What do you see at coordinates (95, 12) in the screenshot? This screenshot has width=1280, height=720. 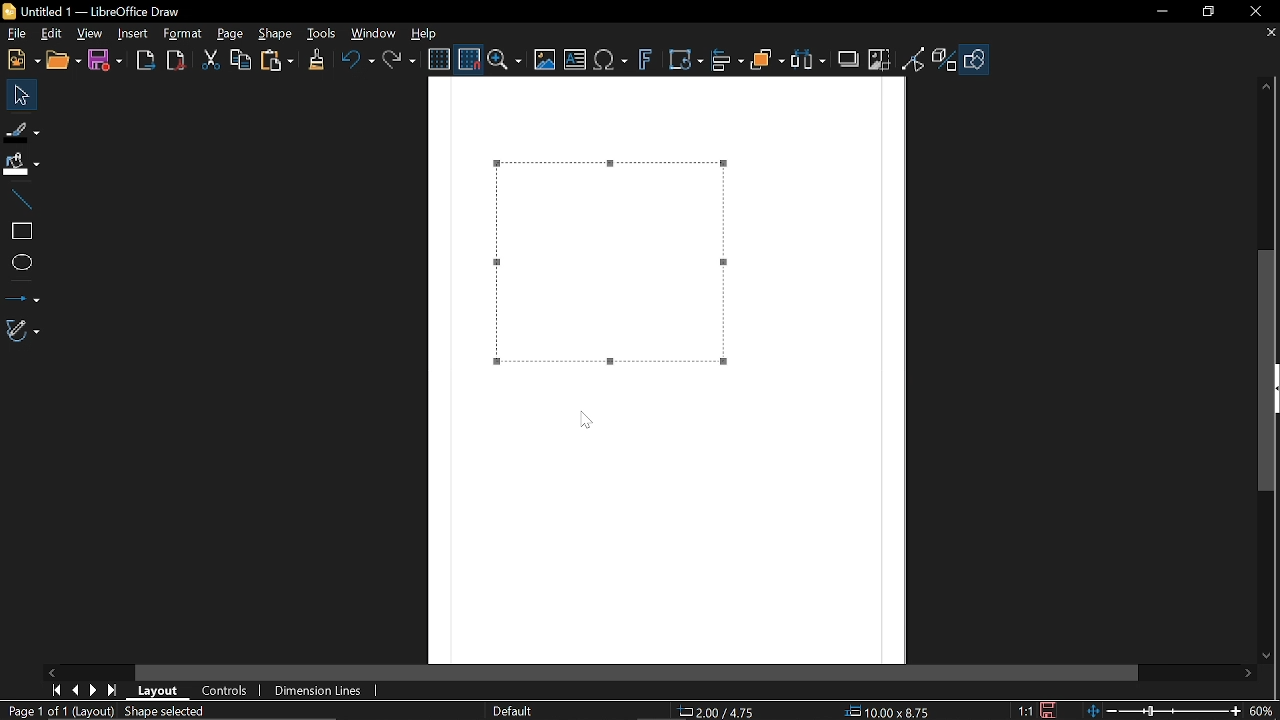 I see `Current window` at bounding box center [95, 12].